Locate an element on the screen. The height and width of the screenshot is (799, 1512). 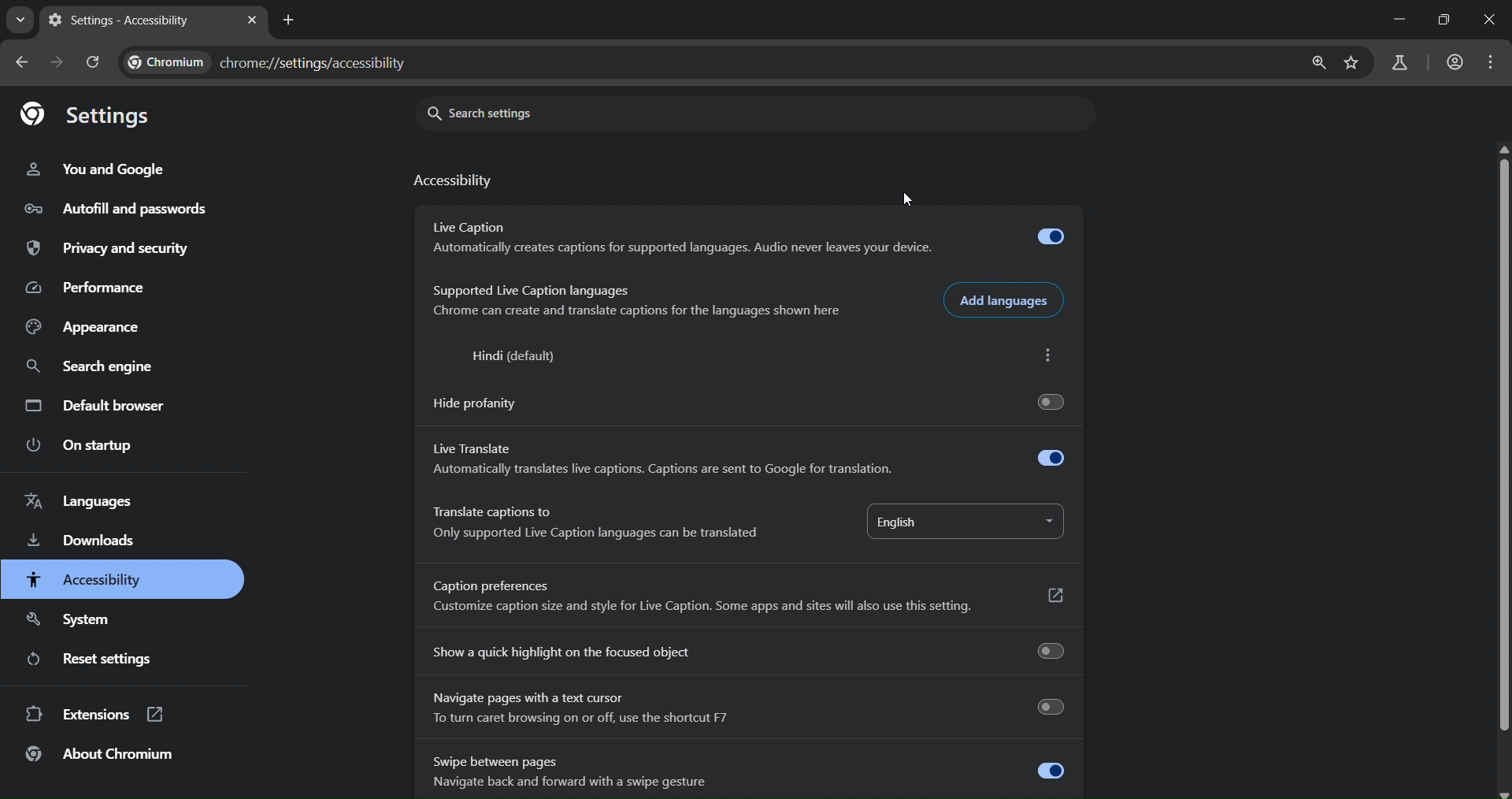
accounts is located at coordinates (1451, 63).